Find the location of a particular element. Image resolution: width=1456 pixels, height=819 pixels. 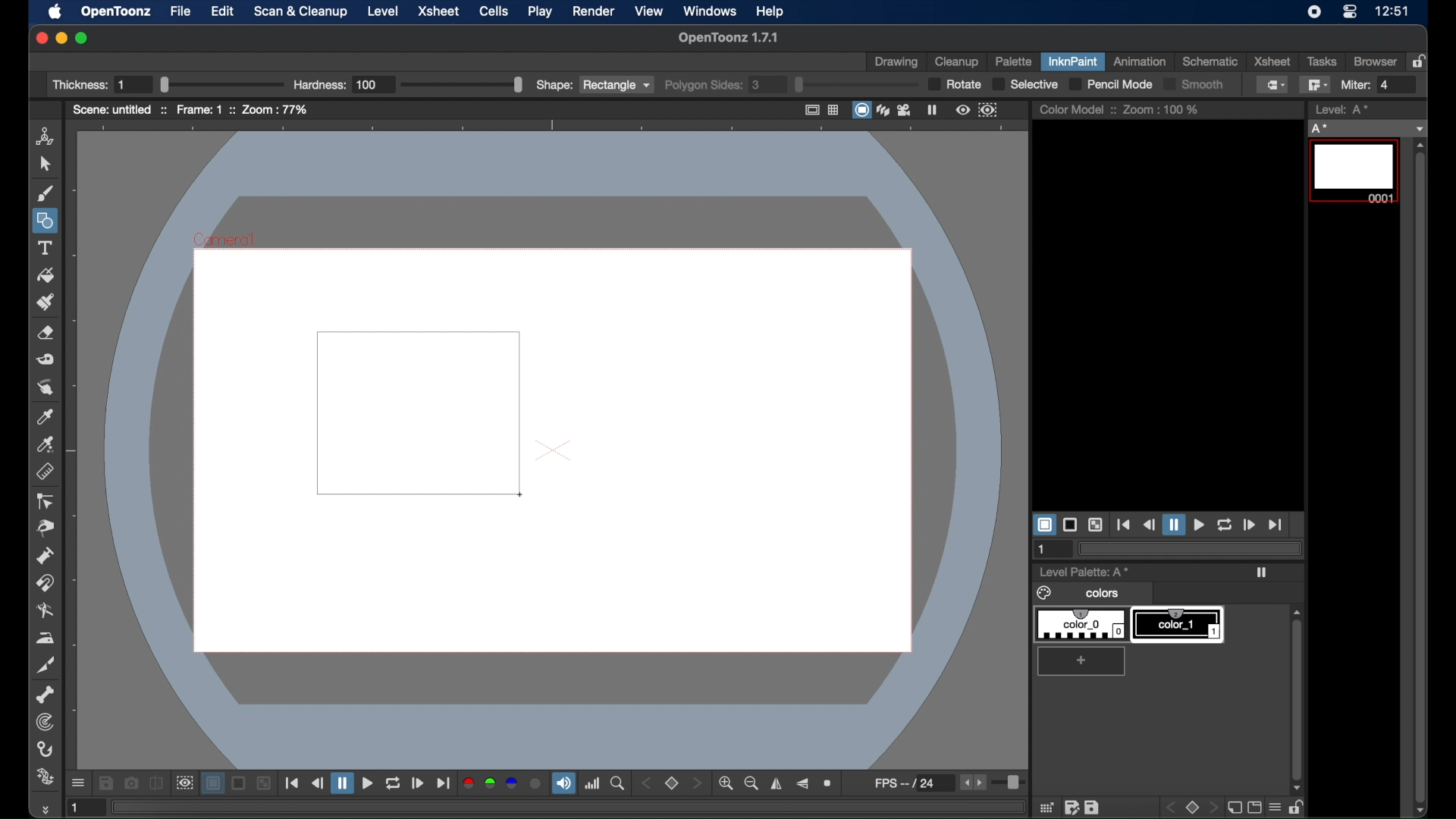

fill tool is located at coordinates (45, 276).